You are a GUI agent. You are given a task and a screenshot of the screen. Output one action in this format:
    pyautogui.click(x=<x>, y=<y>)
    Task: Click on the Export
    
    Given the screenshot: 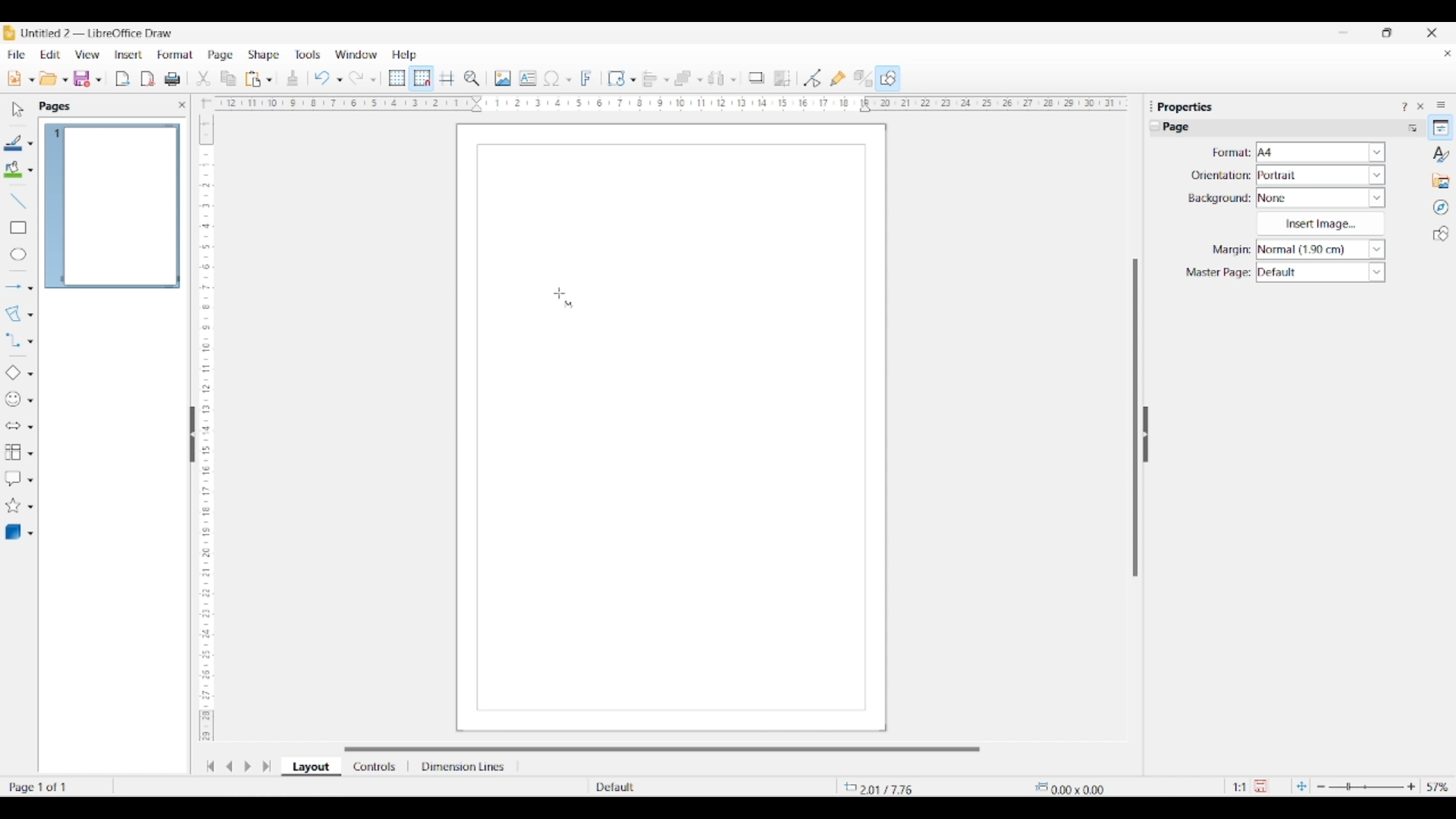 What is the action you would take?
    pyautogui.click(x=123, y=79)
    